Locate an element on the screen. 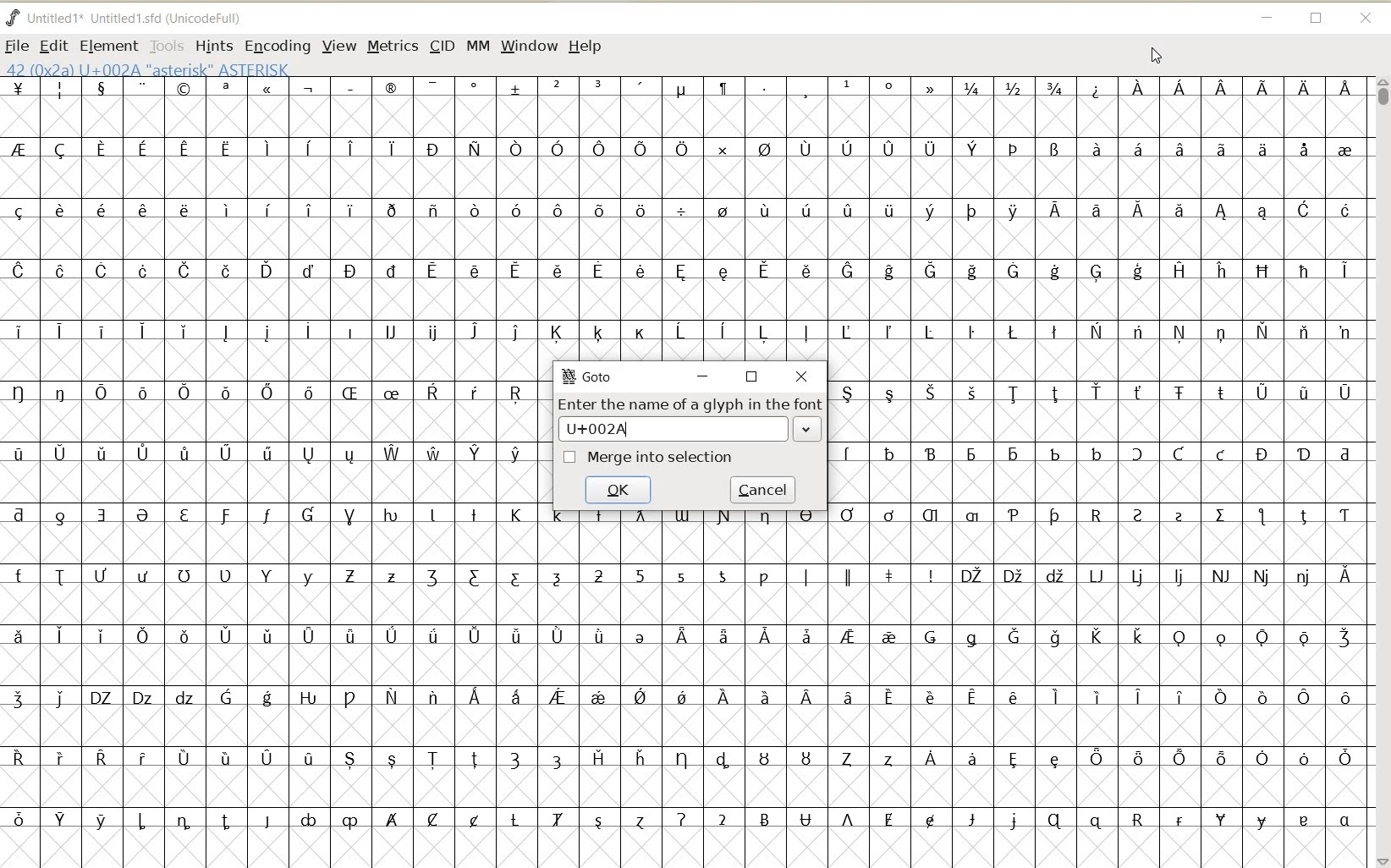 This screenshot has height=868, width=1391. restore is located at coordinates (752, 377).